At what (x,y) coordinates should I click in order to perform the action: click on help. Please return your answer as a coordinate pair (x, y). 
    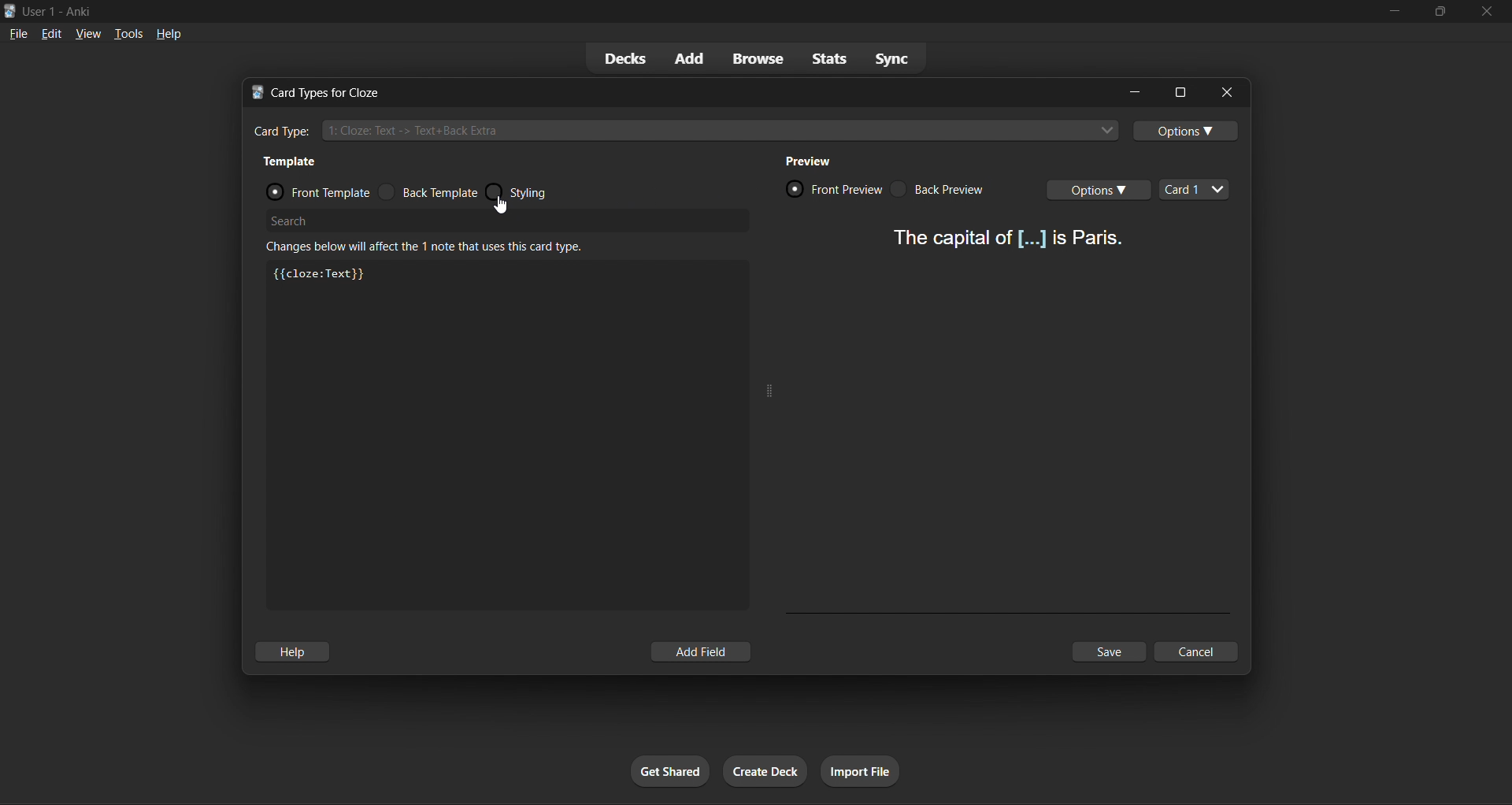
    Looking at the image, I should click on (294, 652).